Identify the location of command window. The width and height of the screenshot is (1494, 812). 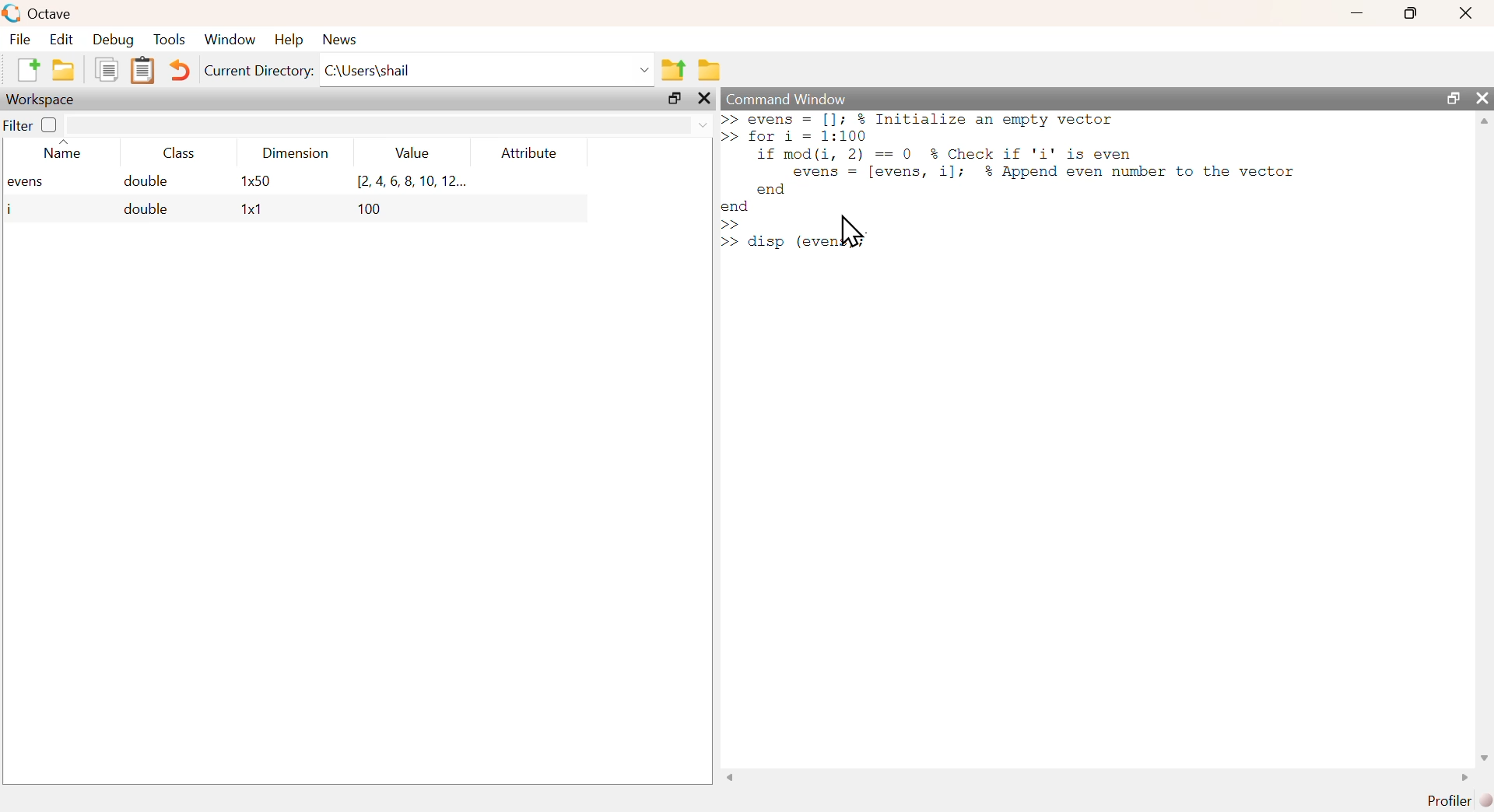
(792, 98).